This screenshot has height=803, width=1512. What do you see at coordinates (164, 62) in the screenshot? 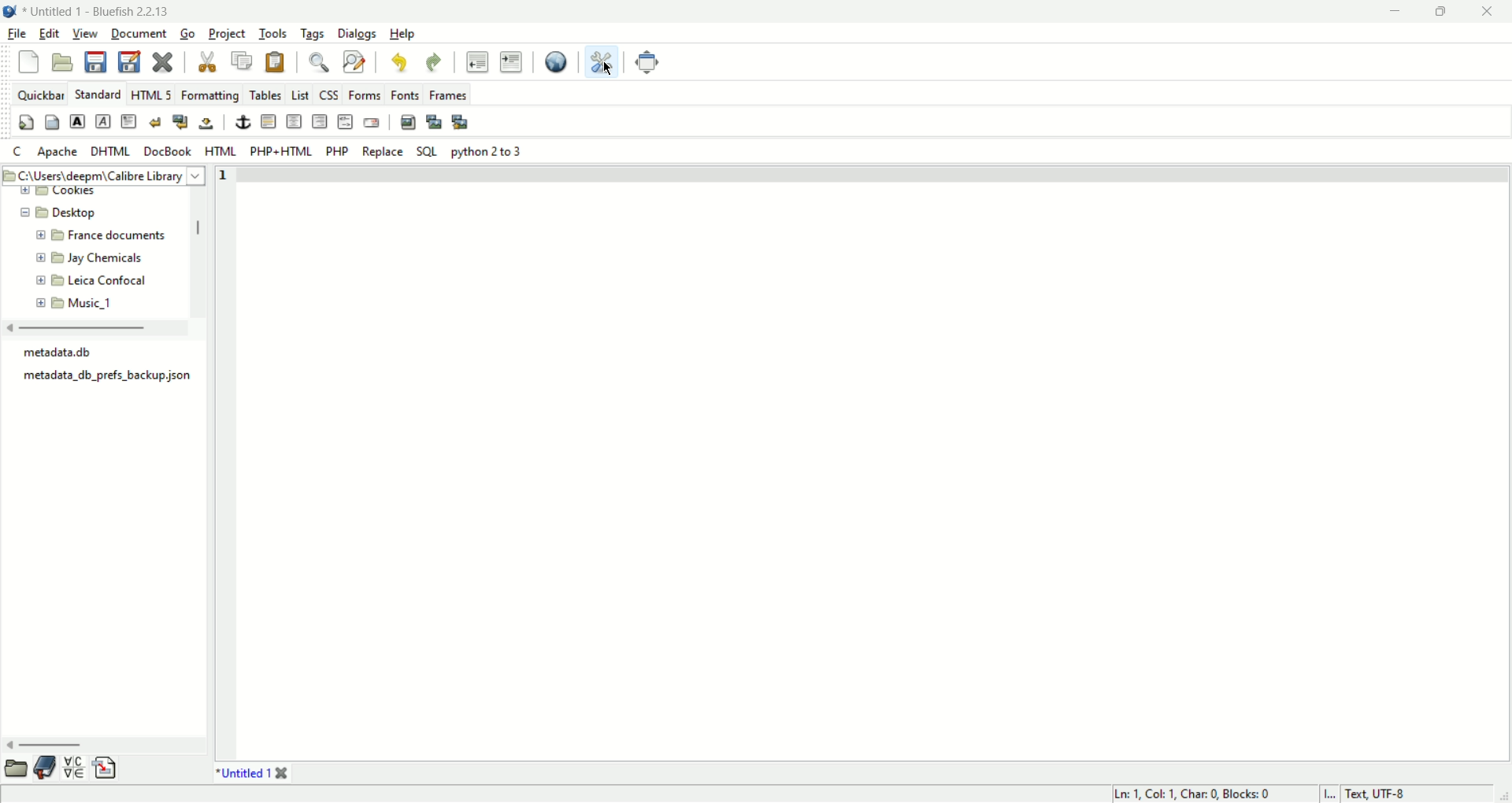
I see `close` at bounding box center [164, 62].